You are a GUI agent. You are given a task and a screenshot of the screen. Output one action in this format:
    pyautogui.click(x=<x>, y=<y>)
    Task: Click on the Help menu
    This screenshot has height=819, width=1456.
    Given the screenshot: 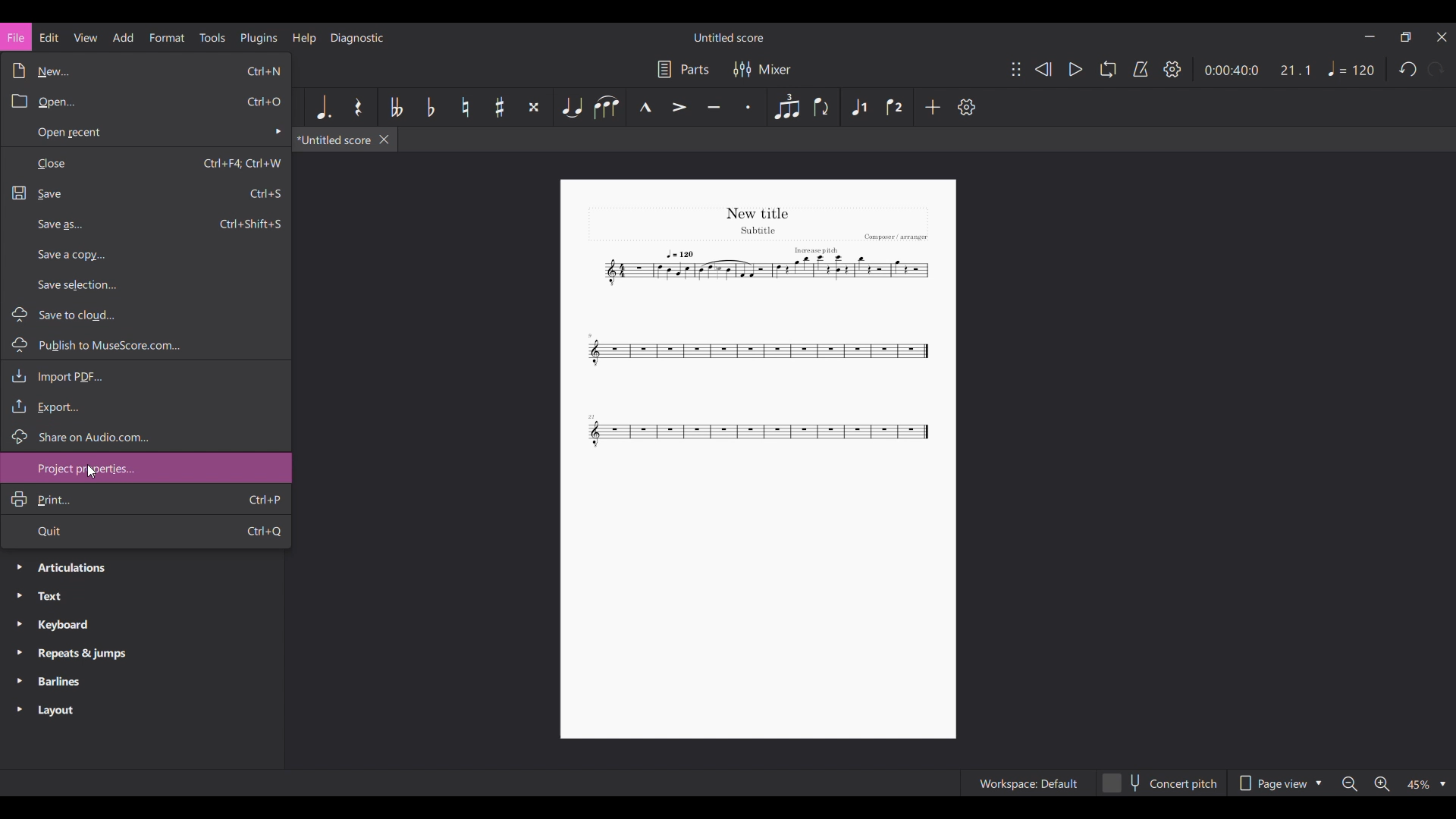 What is the action you would take?
    pyautogui.click(x=304, y=39)
    